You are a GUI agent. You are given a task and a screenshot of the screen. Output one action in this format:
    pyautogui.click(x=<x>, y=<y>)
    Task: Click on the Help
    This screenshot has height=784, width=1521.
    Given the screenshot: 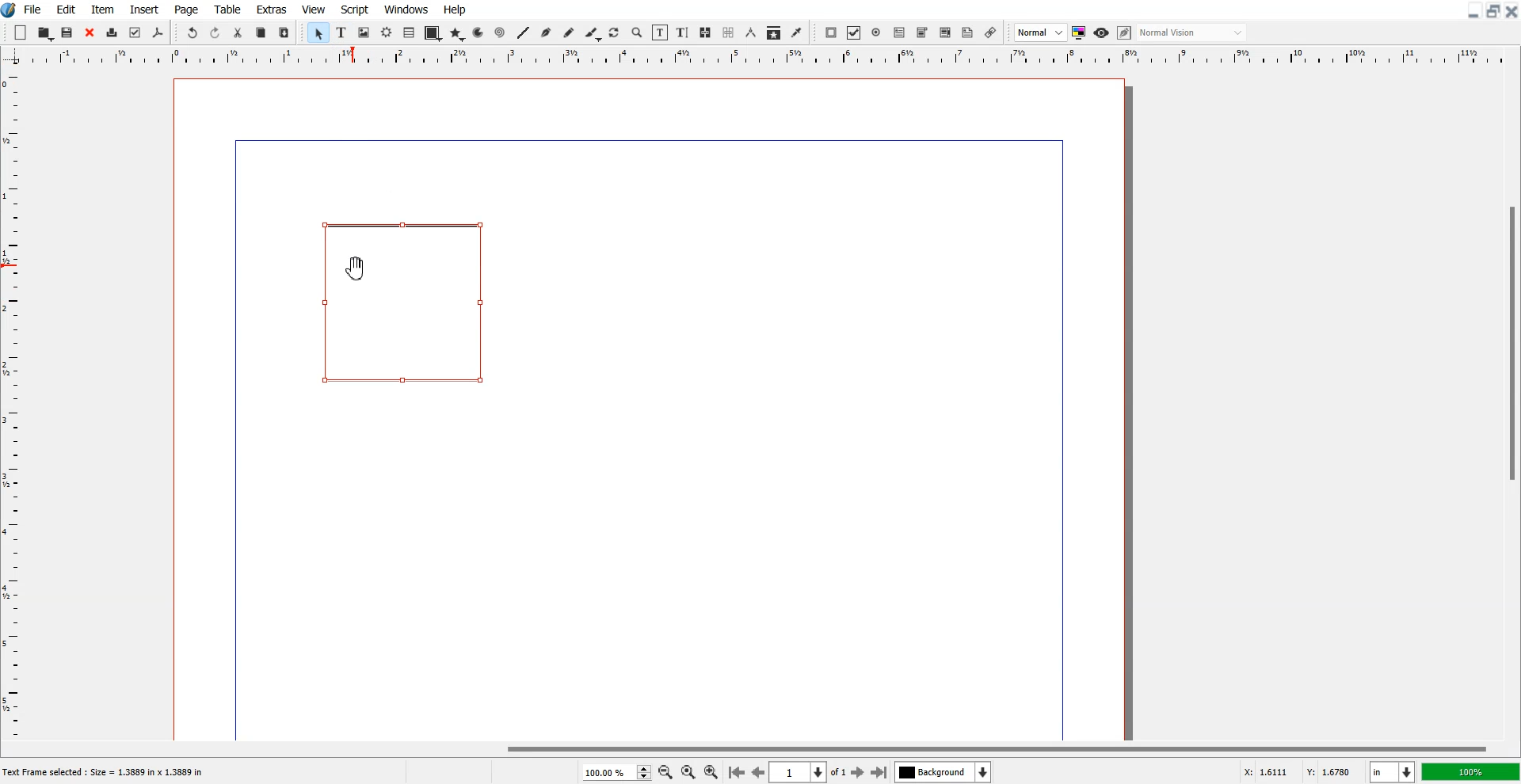 What is the action you would take?
    pyautogui.click(x=454, y=10)
    